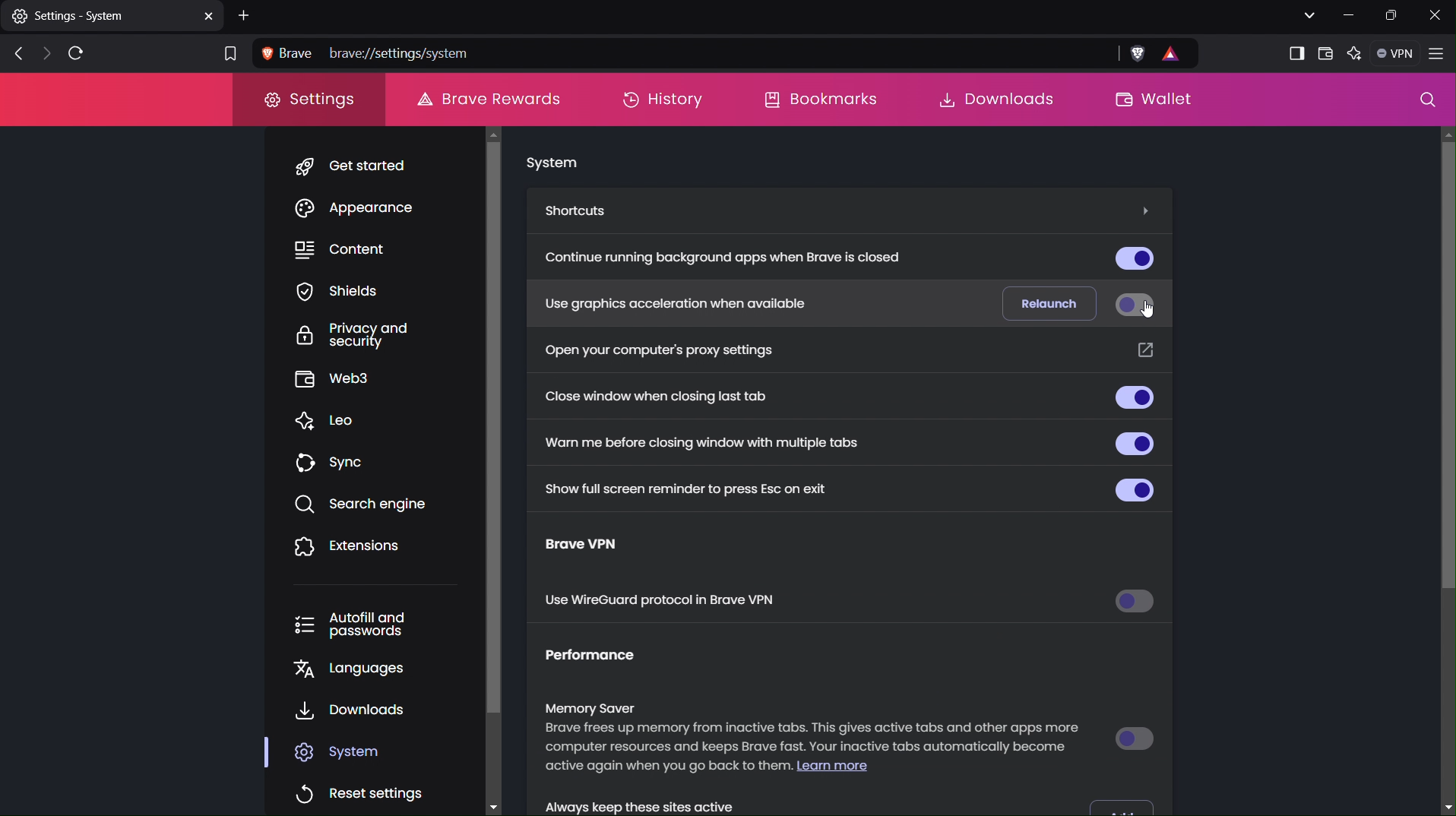 The image size is (1456, 816). Describe the element at coordinates (337, 463) in the screenshot. I see `Sync` at that location.